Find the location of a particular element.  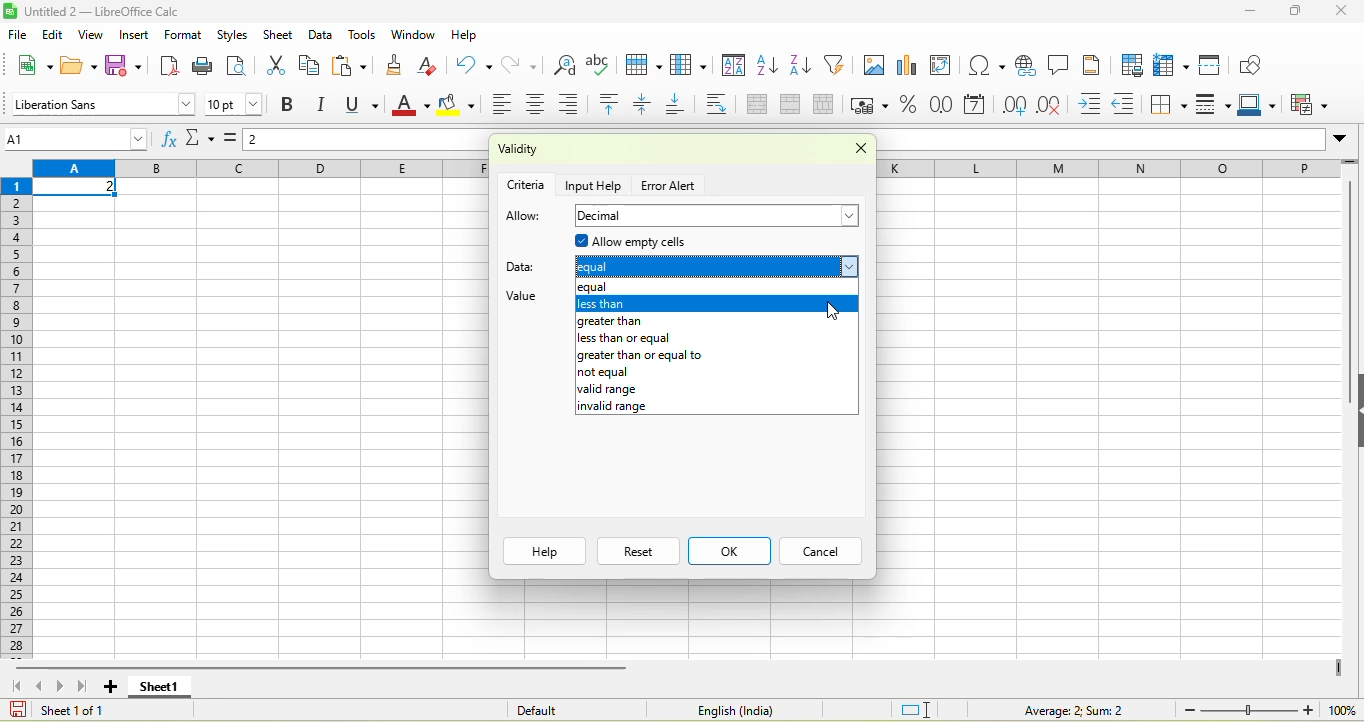

export directly as pdf is located at coordinates (174, 66).